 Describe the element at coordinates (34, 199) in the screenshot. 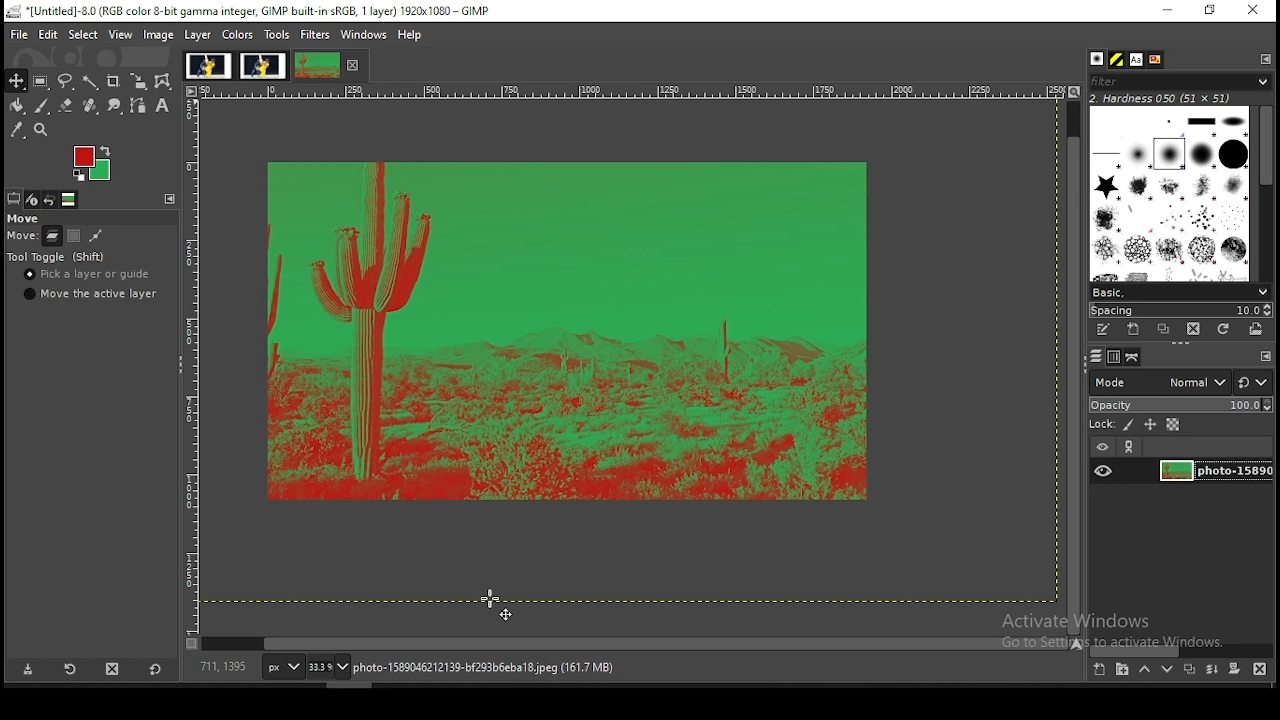

I see `device status` at that location.